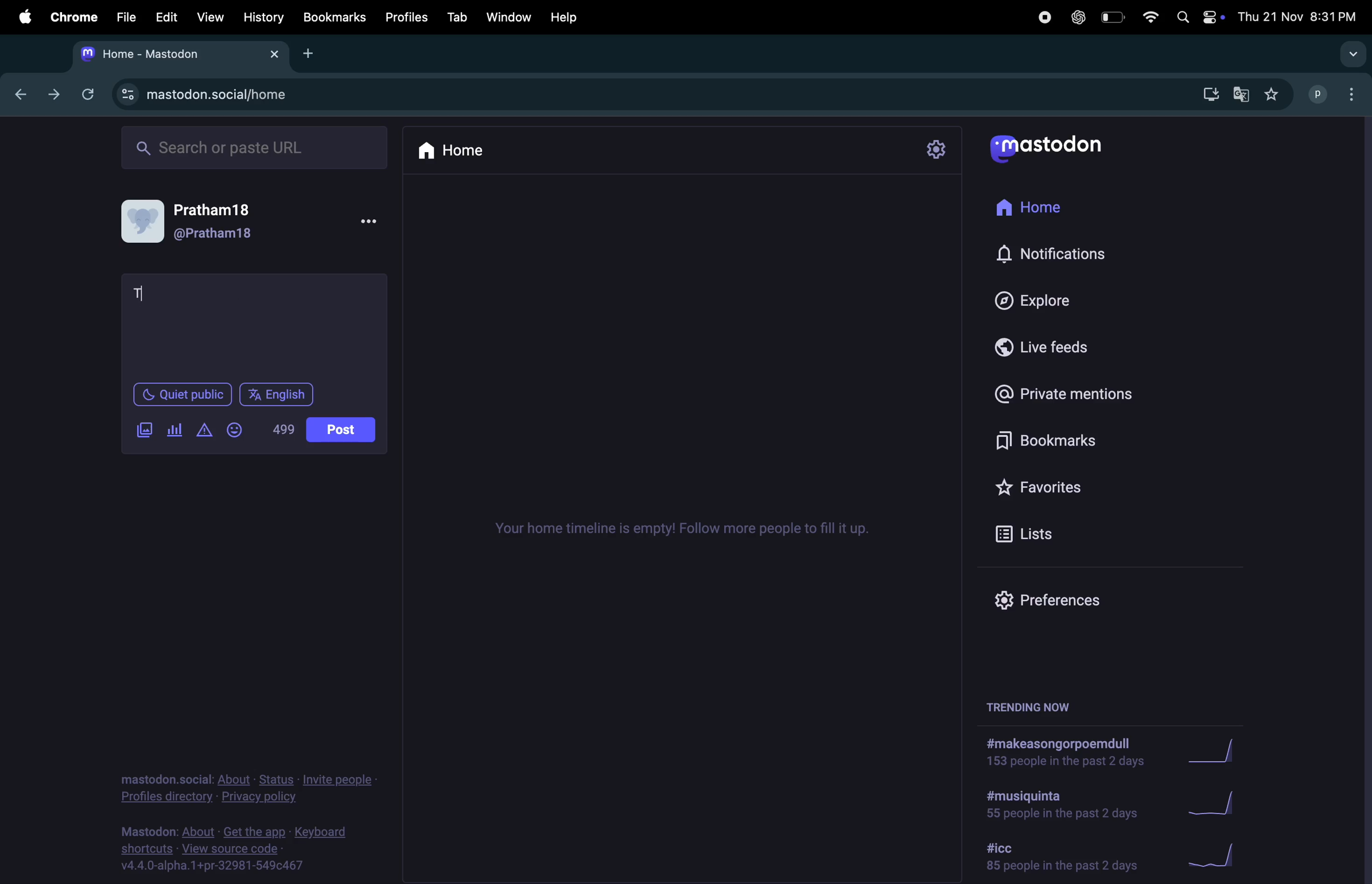 This screenshot has height=884, width=1372. What do you see at coordinates (314, 55) in the screenshot?
I see `add new tab` at bounding box center [314, 55].